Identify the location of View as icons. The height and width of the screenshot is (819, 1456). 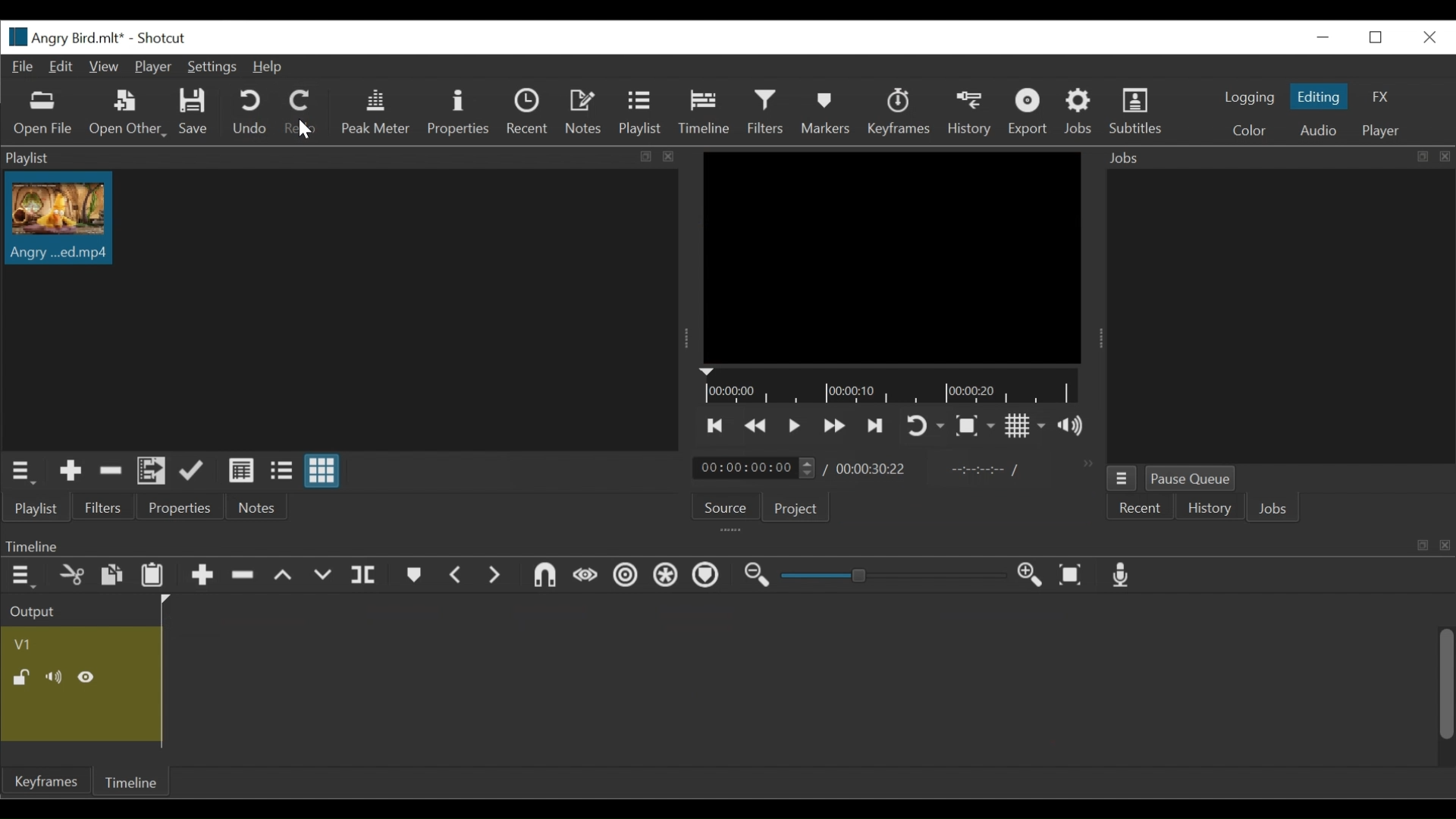
(322, 469).